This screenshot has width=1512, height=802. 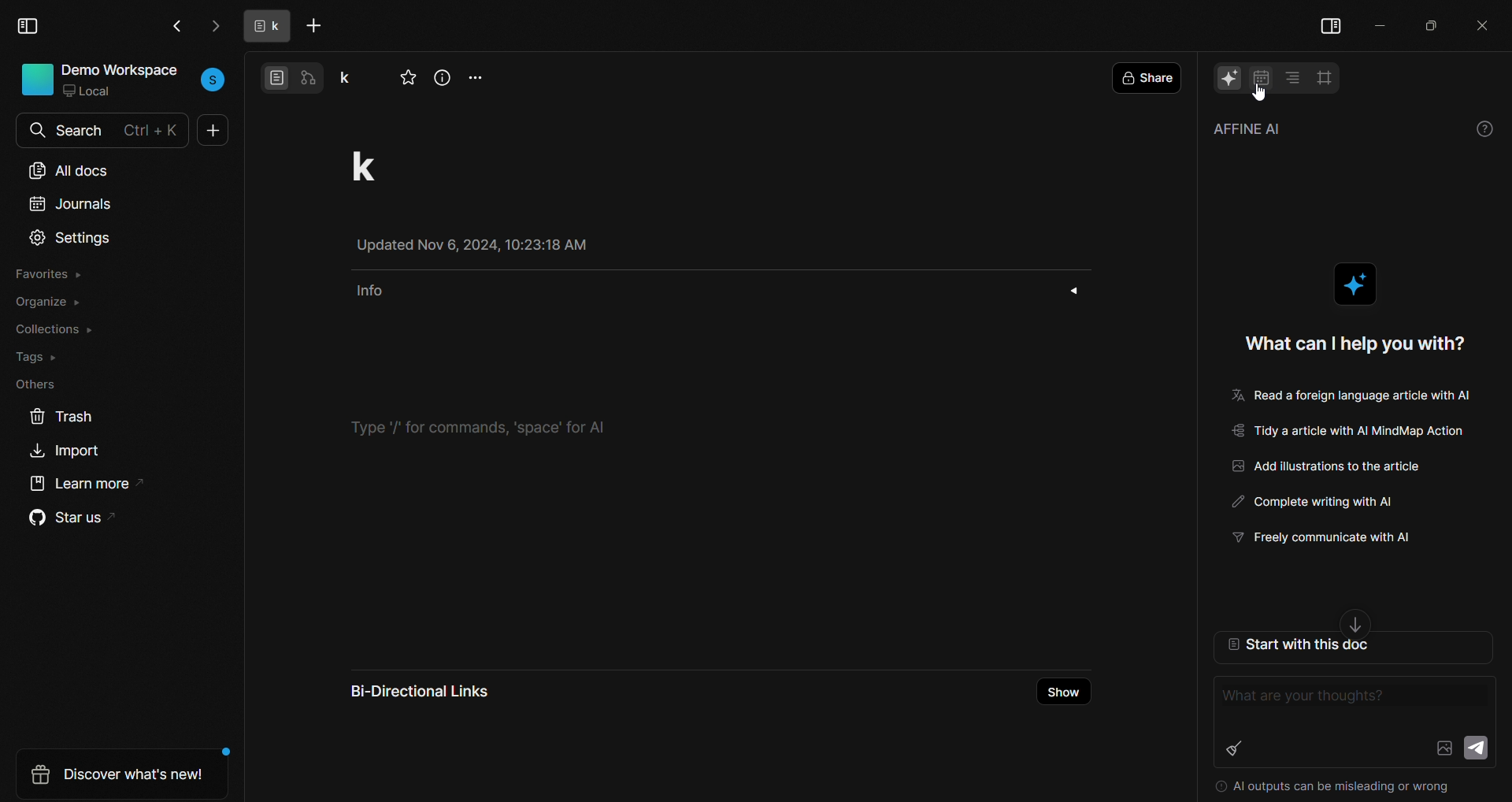 I want to click on more, so click(x=479, y=75).